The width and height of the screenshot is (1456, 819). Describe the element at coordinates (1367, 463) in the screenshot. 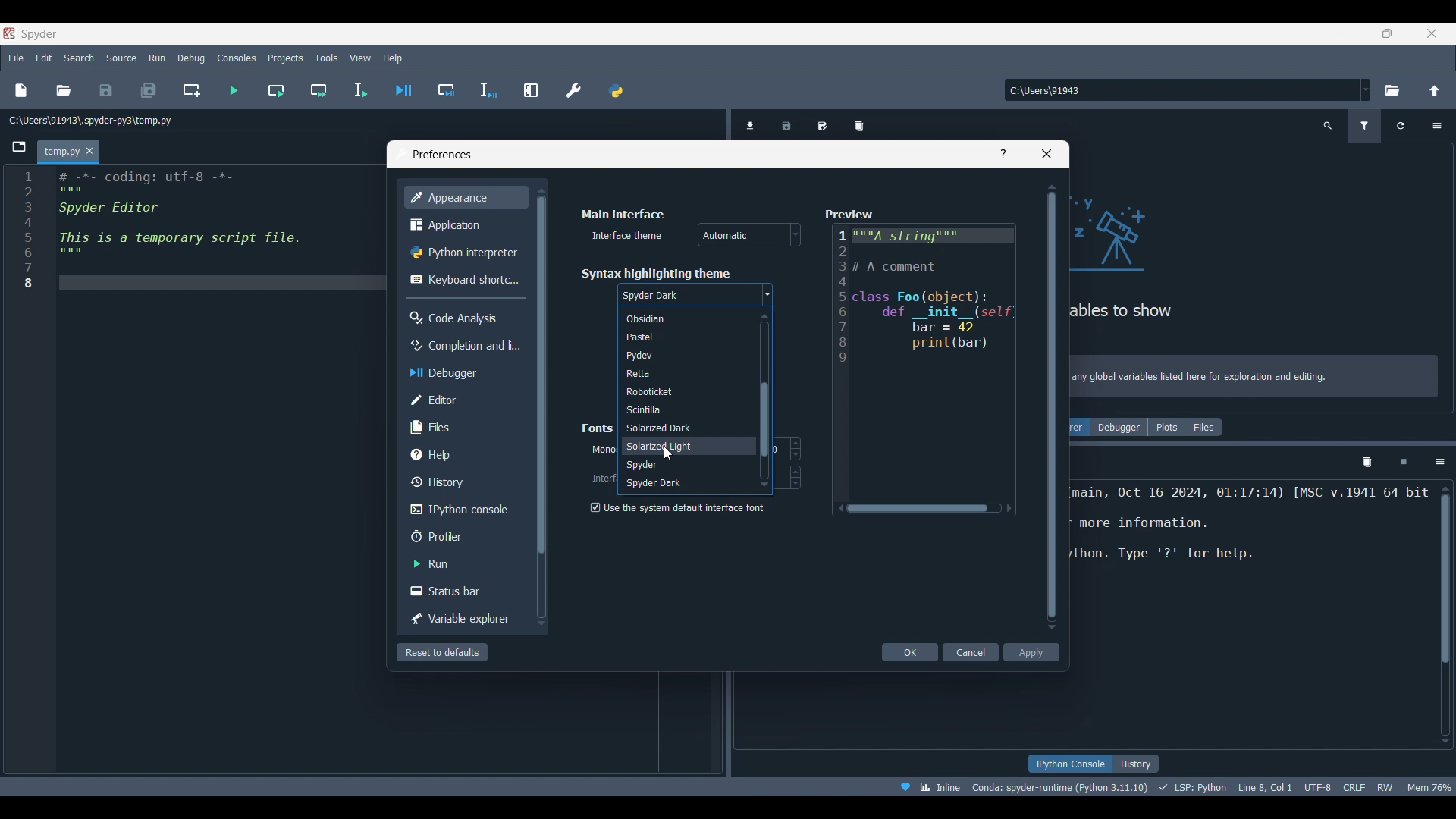

I see `Remove all variables from namespace` at that location.